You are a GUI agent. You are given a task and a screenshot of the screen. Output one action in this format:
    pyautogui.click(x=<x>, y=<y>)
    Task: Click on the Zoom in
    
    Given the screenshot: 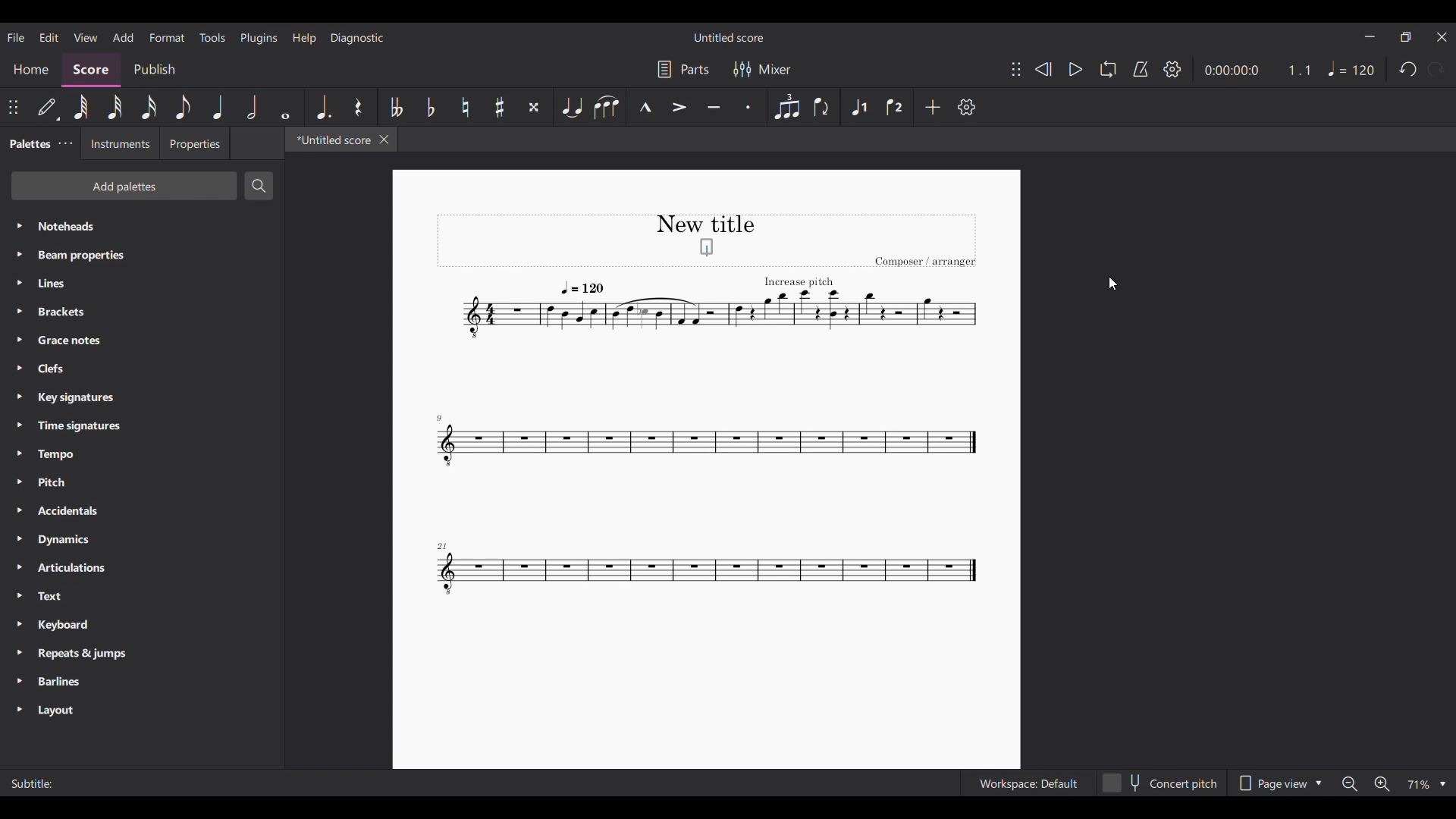 What is the action you would take?
    pyautogui.click(x=1382, y=783)
    